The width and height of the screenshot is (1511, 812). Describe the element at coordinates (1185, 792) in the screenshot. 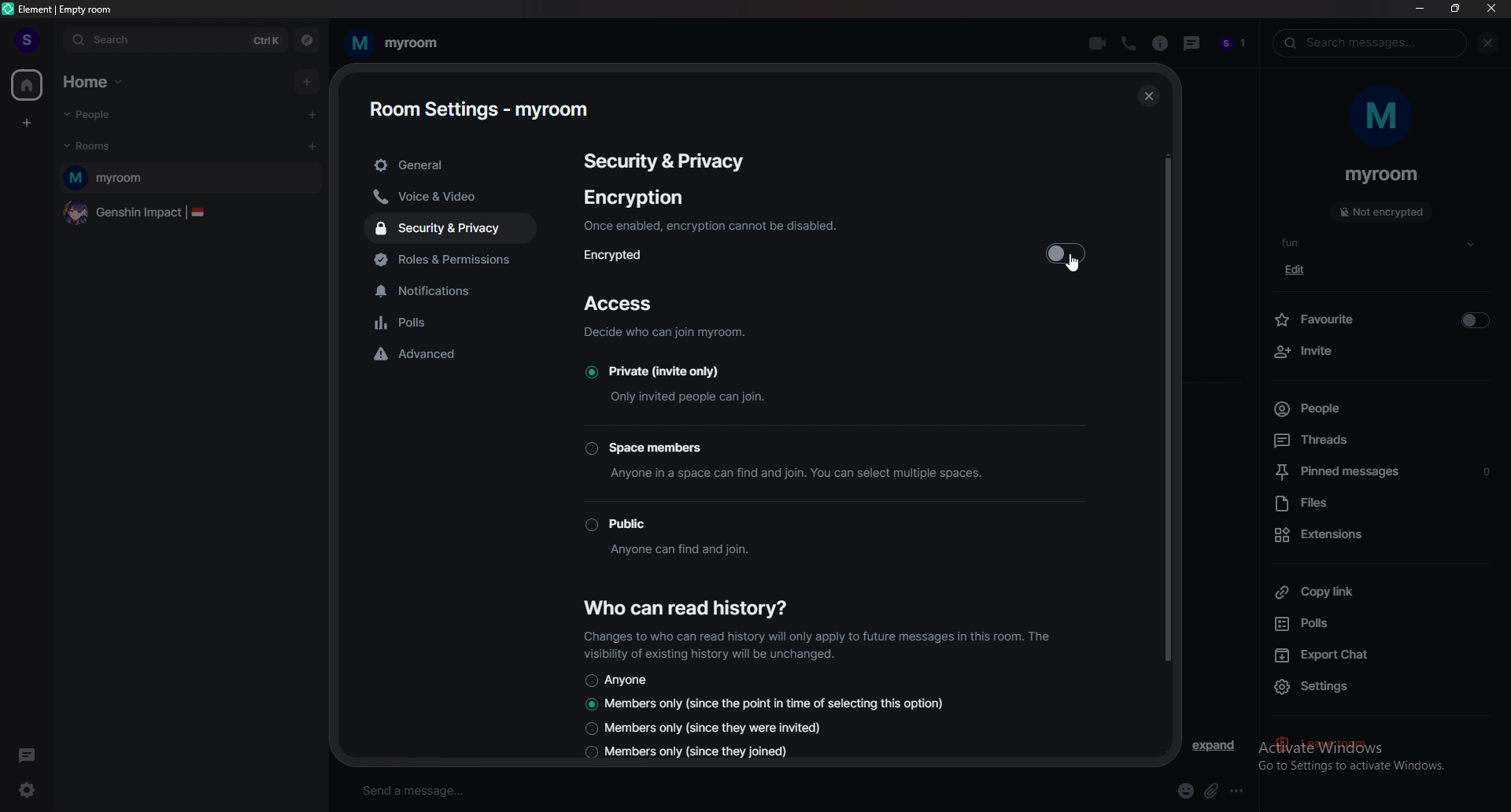

I see `emoji` at that location.